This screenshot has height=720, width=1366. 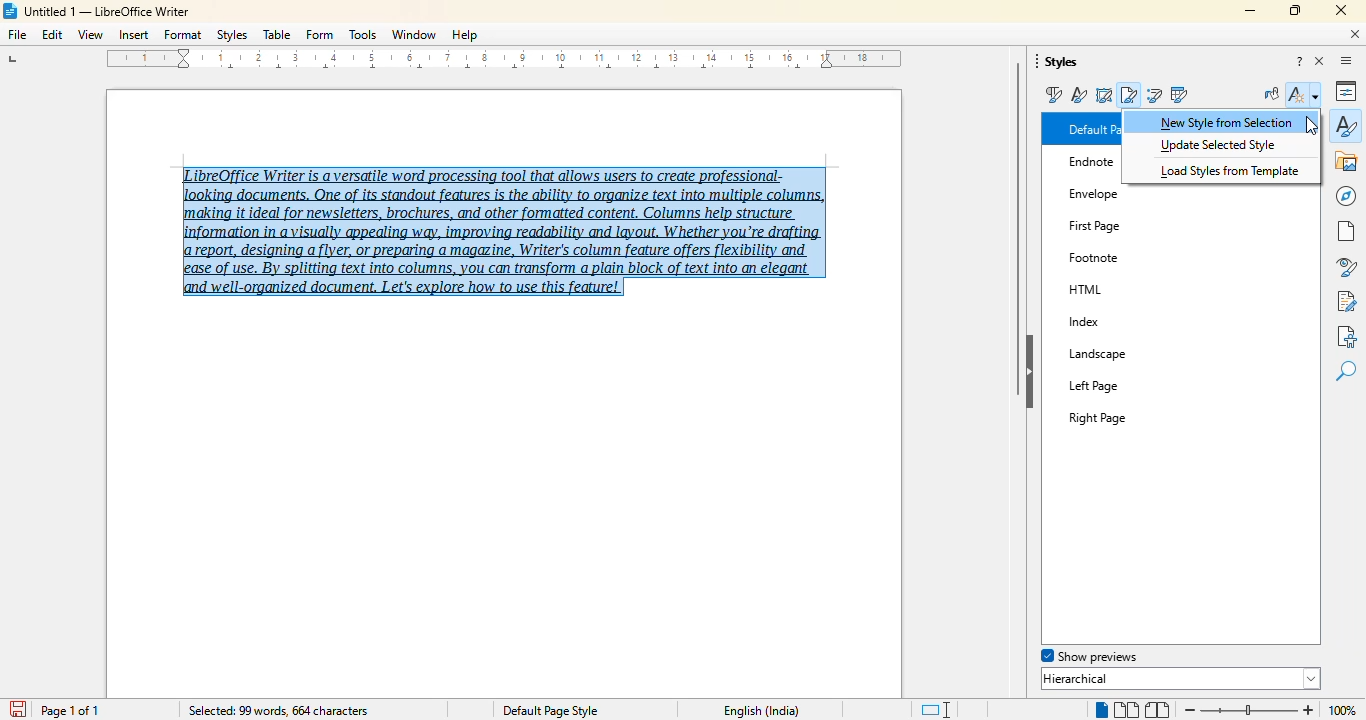 What do you see at coordinates (71, 711) in the screenshot?
I see `page 1 of 1` at bounding box center [71, 711].